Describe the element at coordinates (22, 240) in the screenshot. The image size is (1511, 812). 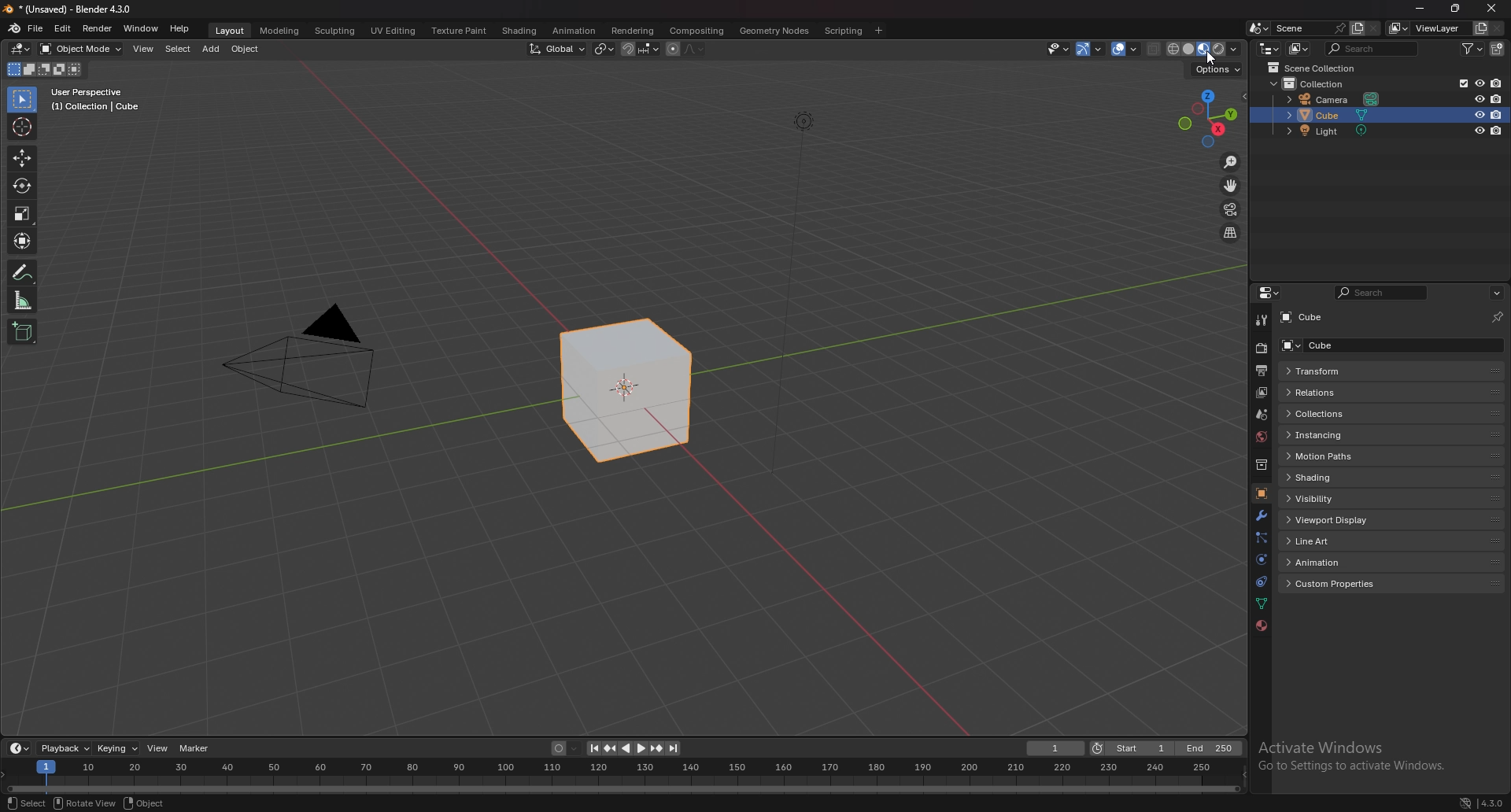
I see `transform` at that location.